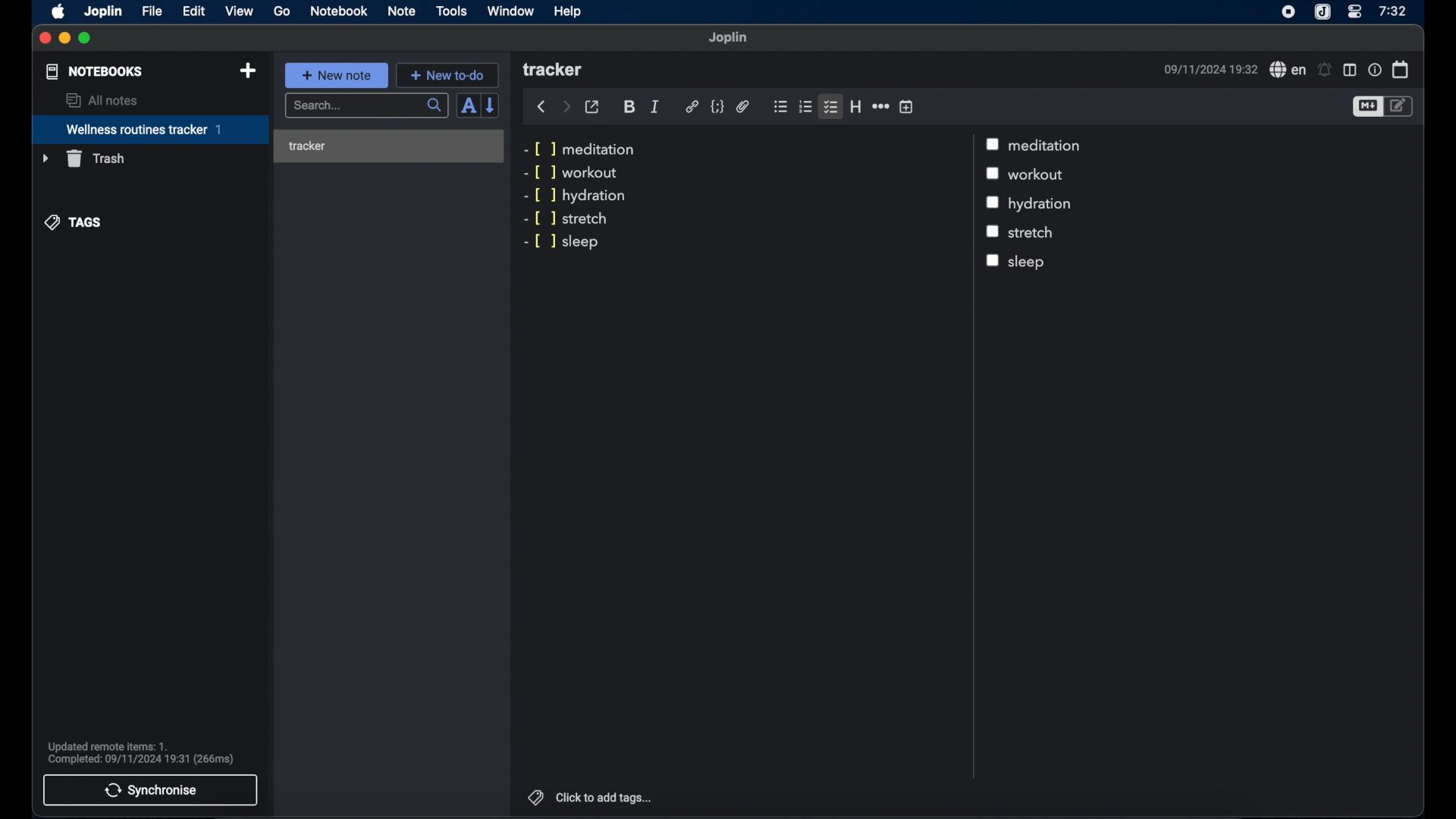 This screenshot has width=1456, height=819. What do you see at coordinates (95, 71) in the screenshot?
I see `notebooks` at bounding box center [95, 71].